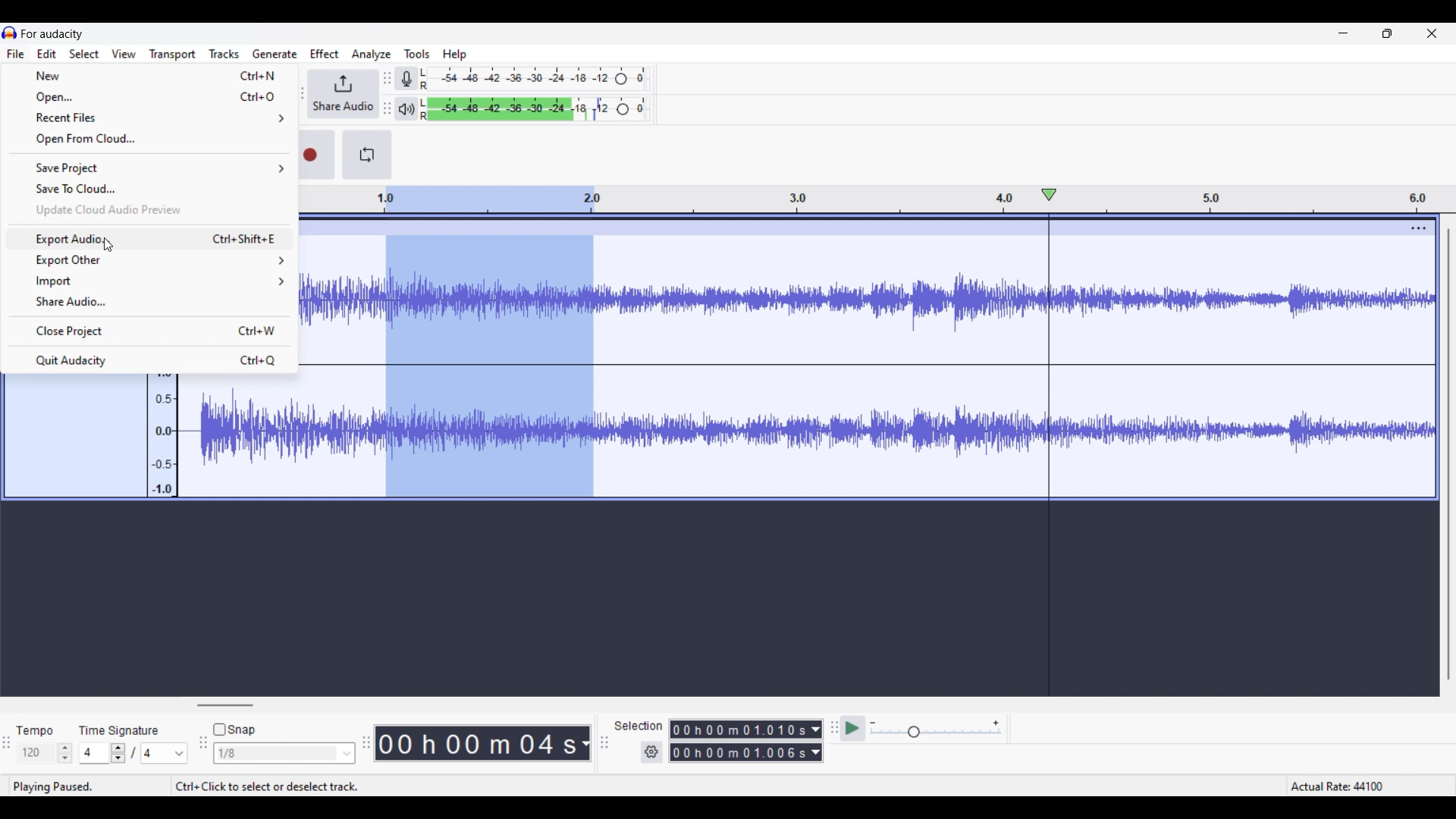  Describe the element at coordinates (224, 53) in the screenshot. I see `Tracks menu` at that location.